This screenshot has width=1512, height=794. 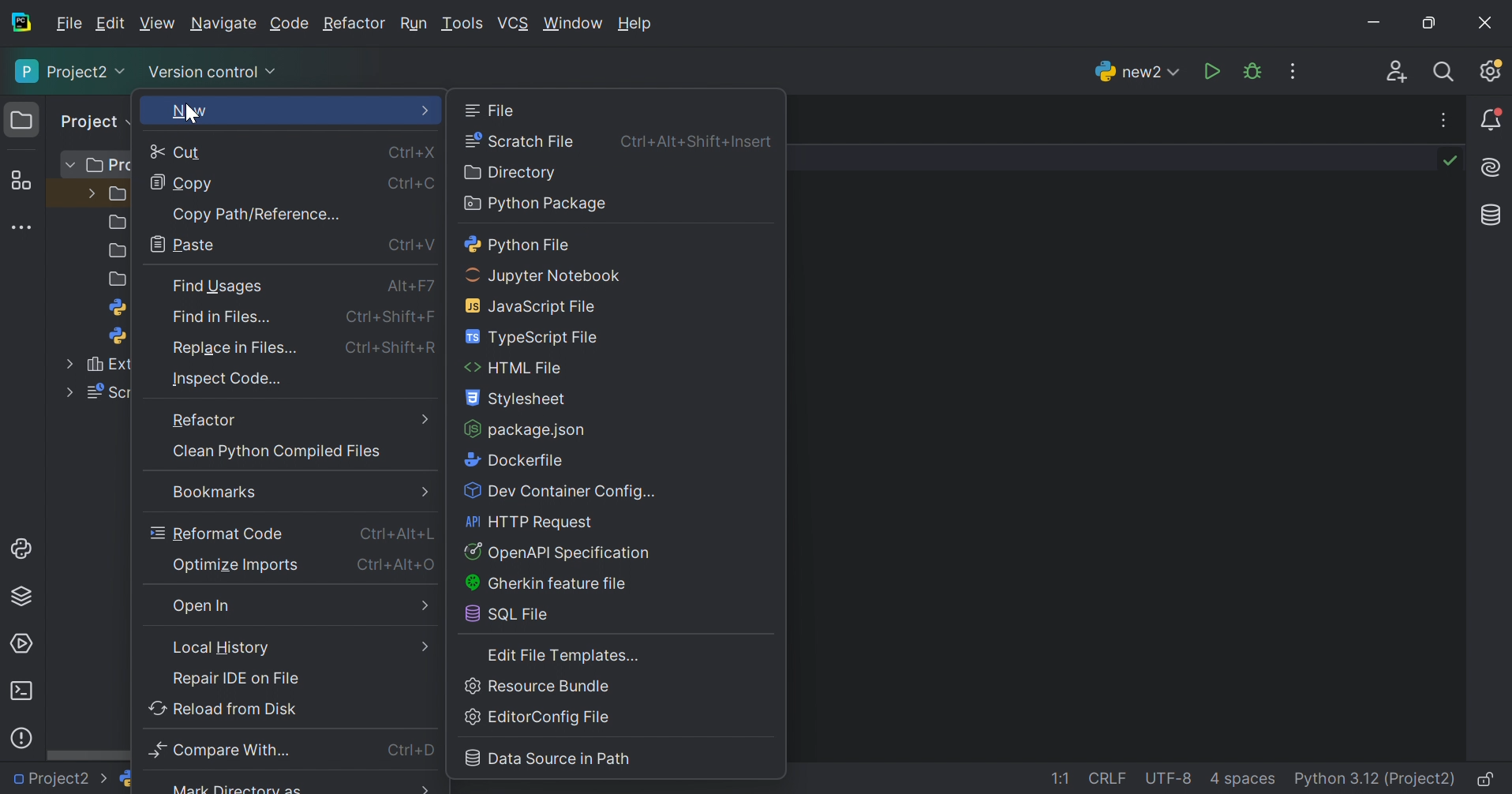 What do you see at coordinates (413, 152) in the screenshot?
I see `Ctrl+X` at bounding box center [413, 152].